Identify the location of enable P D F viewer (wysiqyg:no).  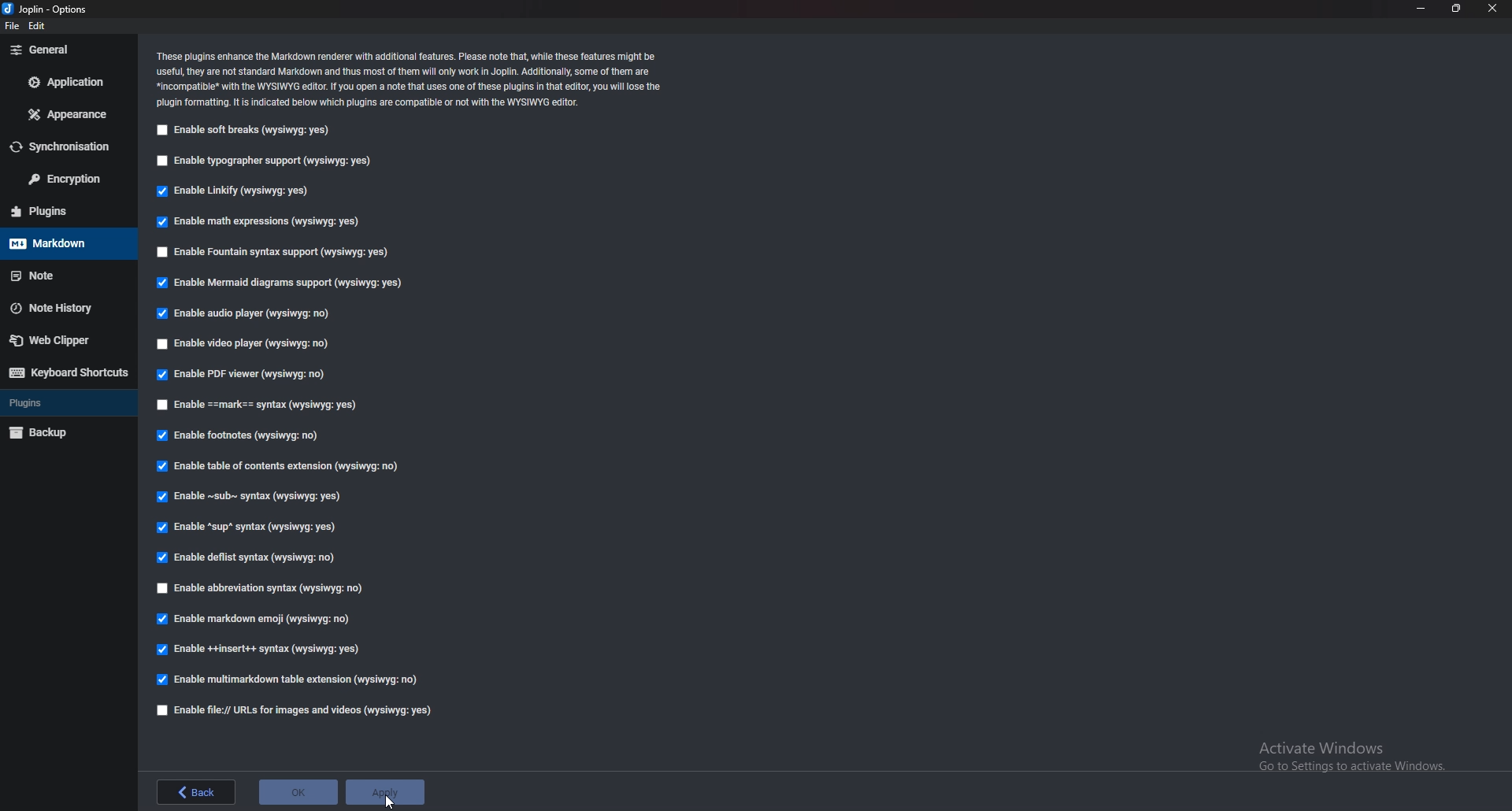
(242, 376).